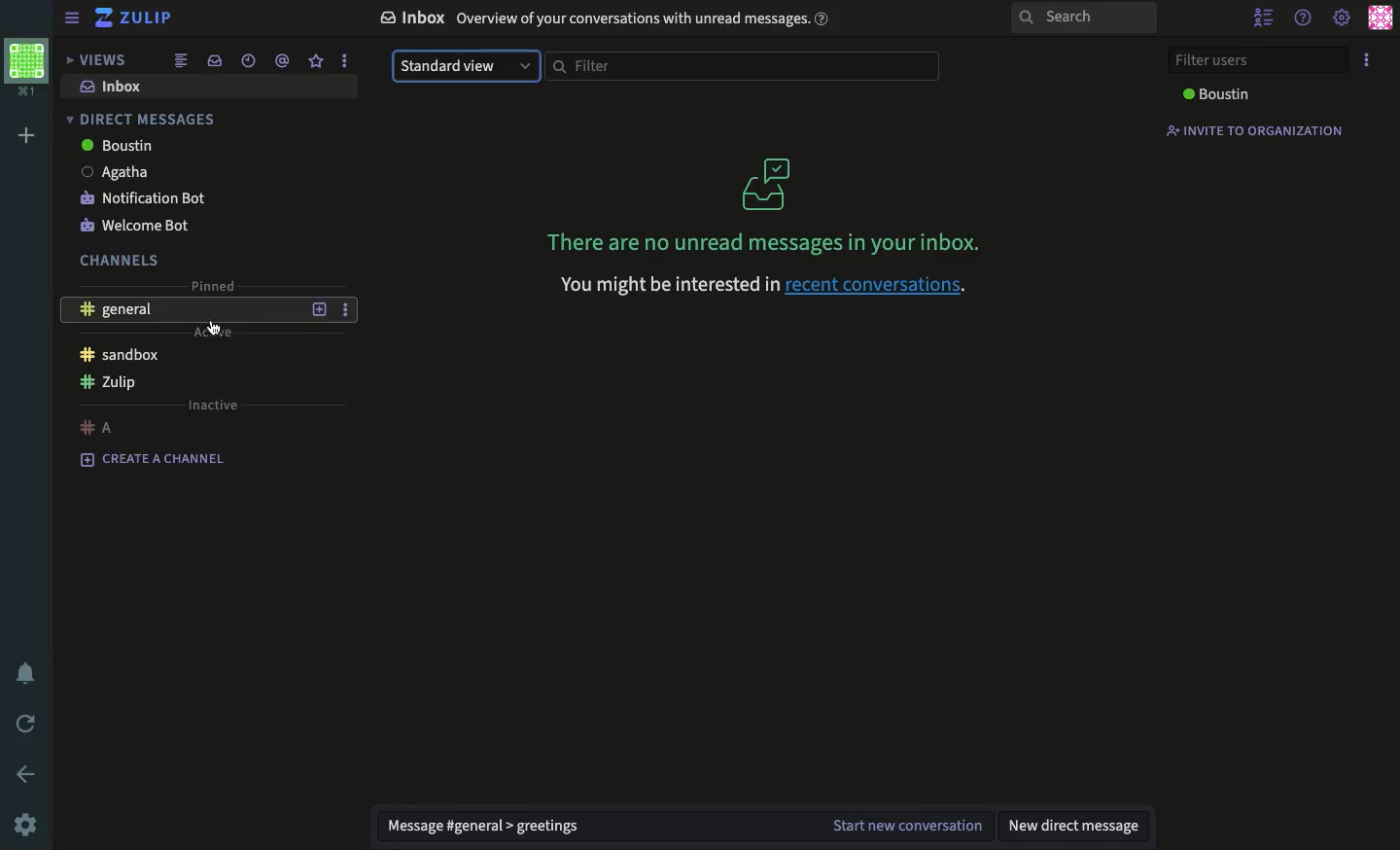 This screenshot has height=850, width=1400. I want to click on settings, so click(1343, 19).